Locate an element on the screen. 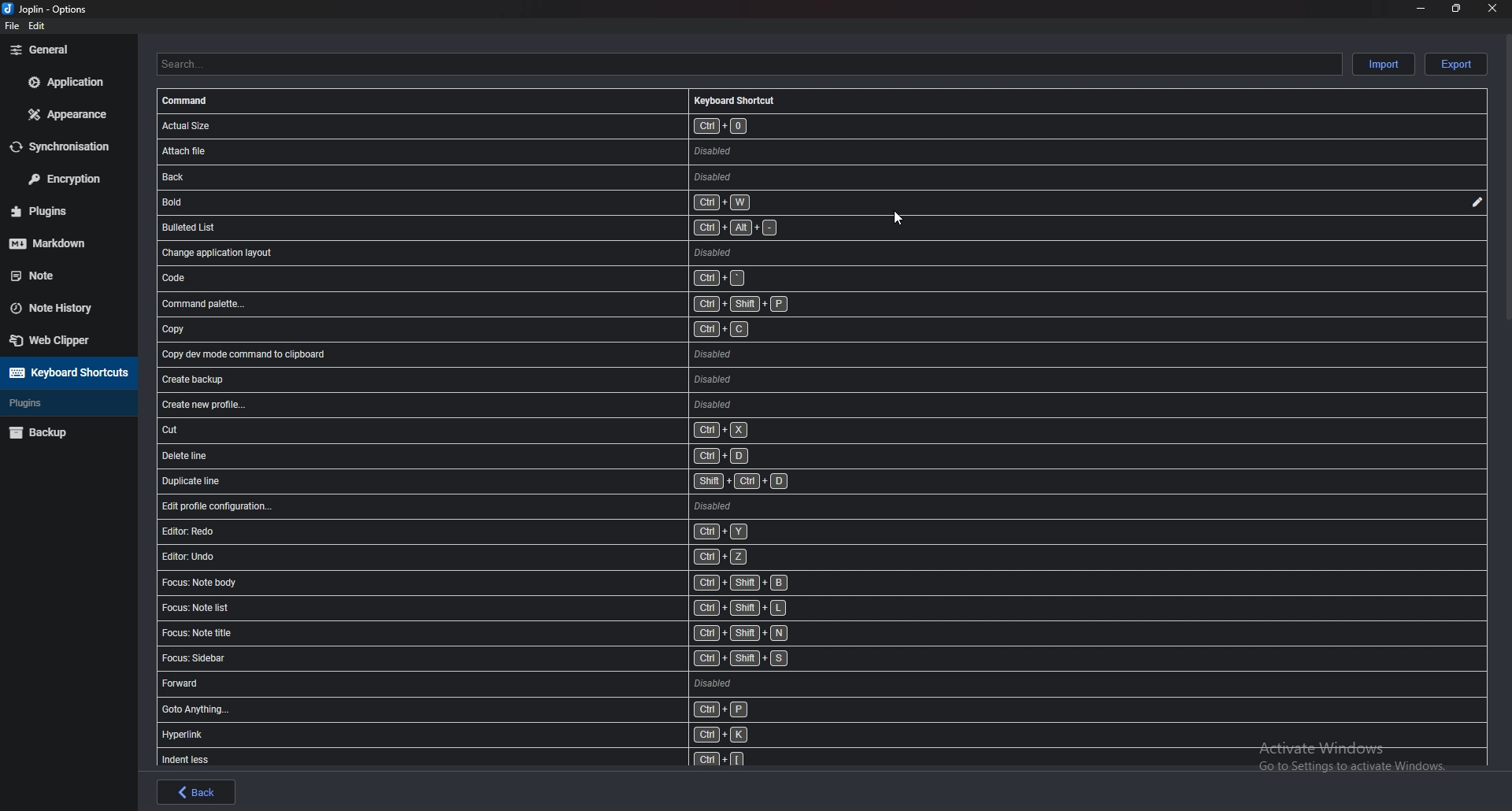  shortcut is located at coordinates (472, 178).